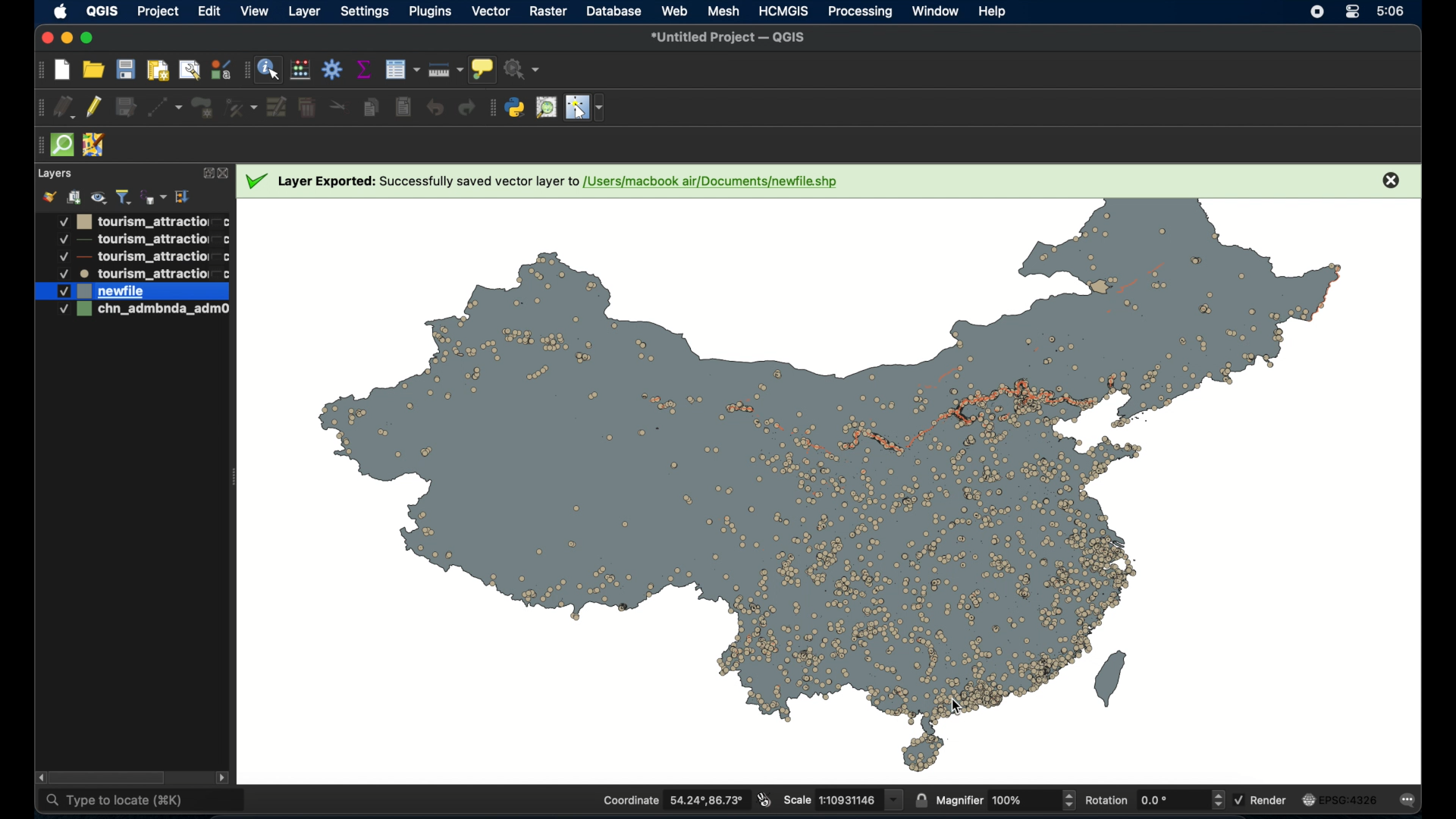  Describe the element at coordinates (675, 10) in the screenshot. I see `web` at that location.